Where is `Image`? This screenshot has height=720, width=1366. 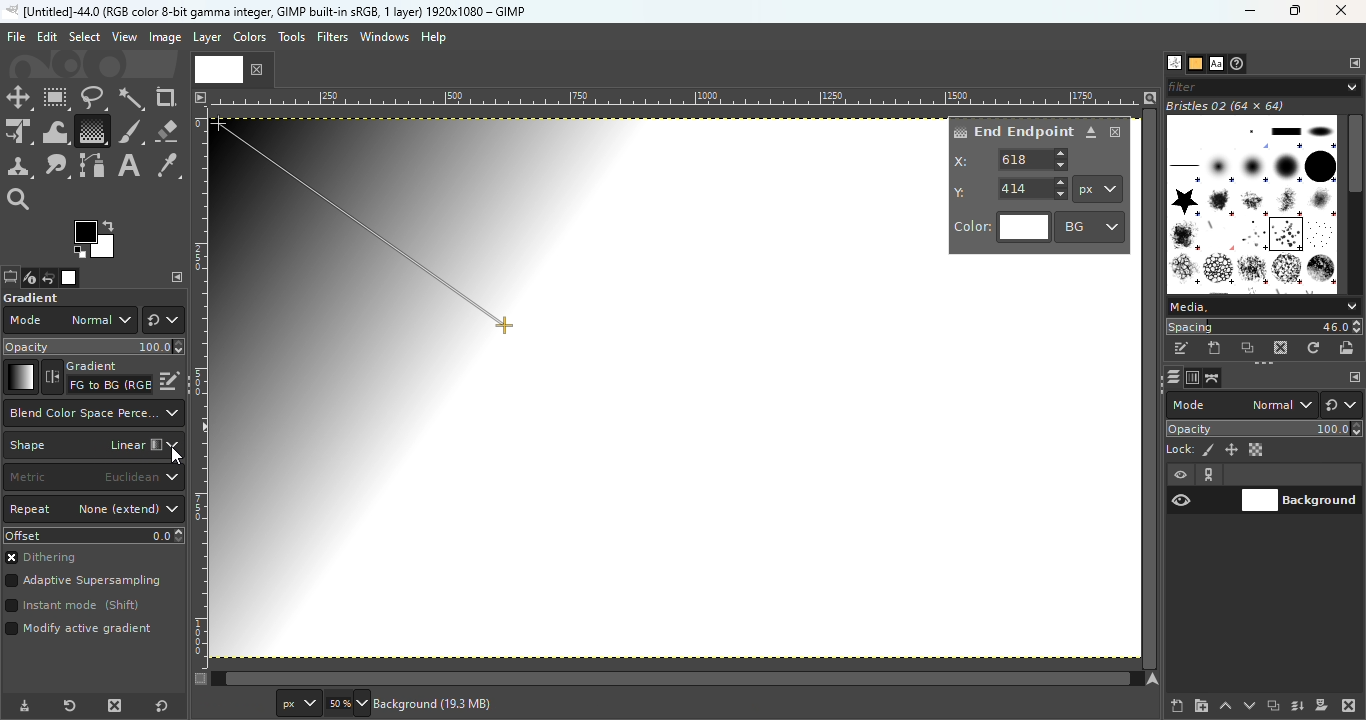 Image is located at coordinates (164, 38).